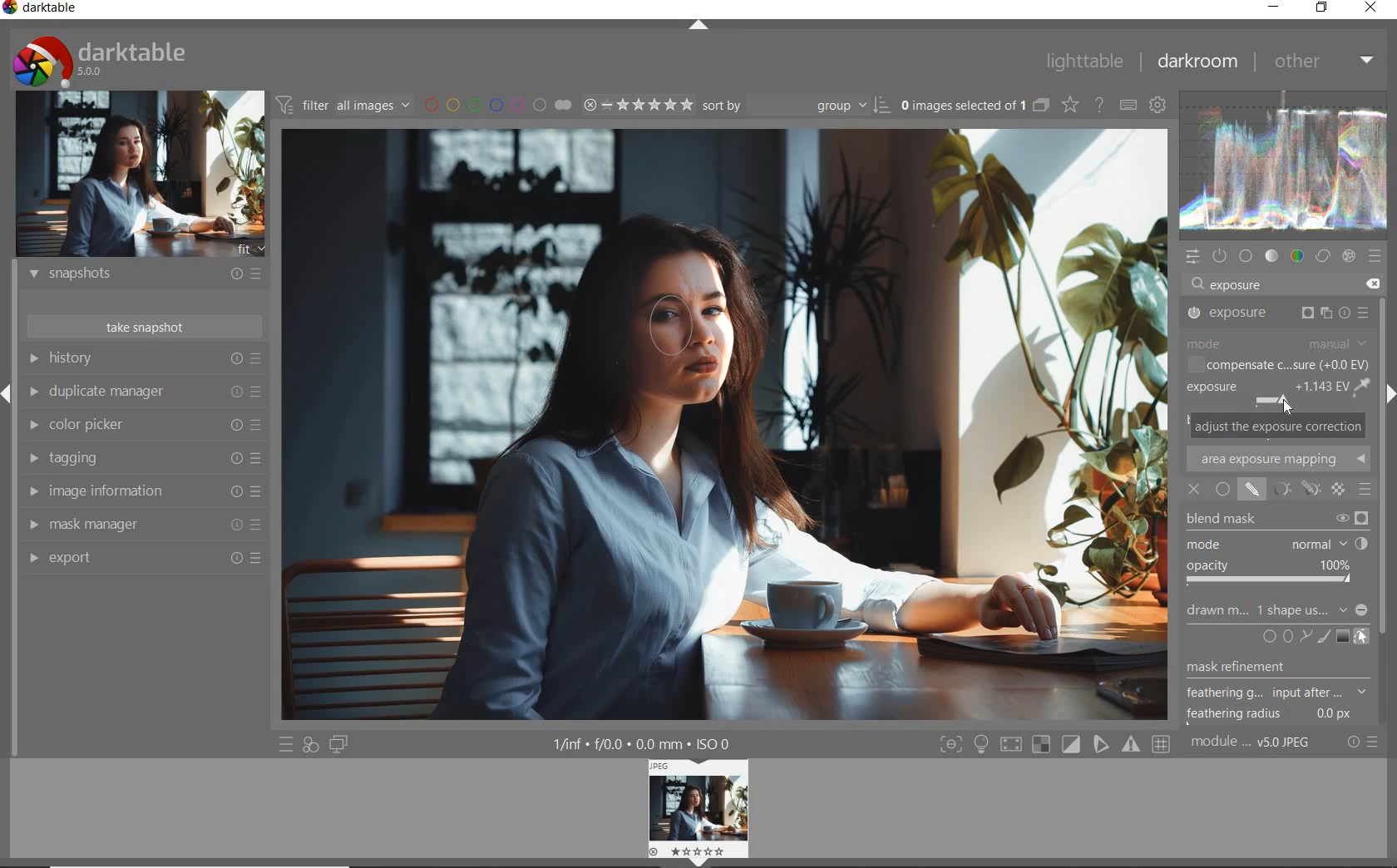  I want to click on base, so click(1246, 256).